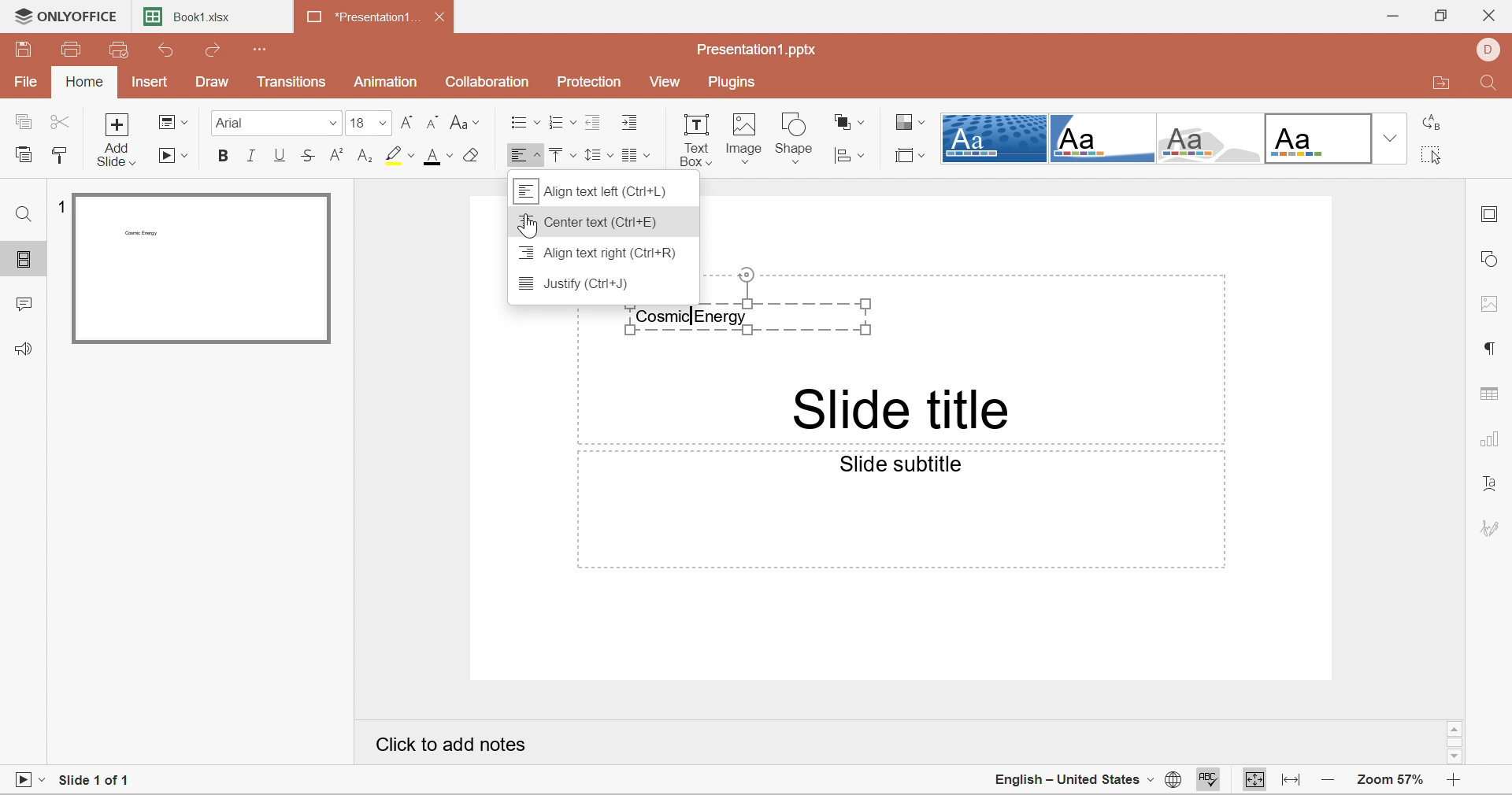 The height and width of the screenshot is (795, 1512). Describe the element at coordinates (849, 121) in the screenshot. I see `Arrange shapes` at that location.